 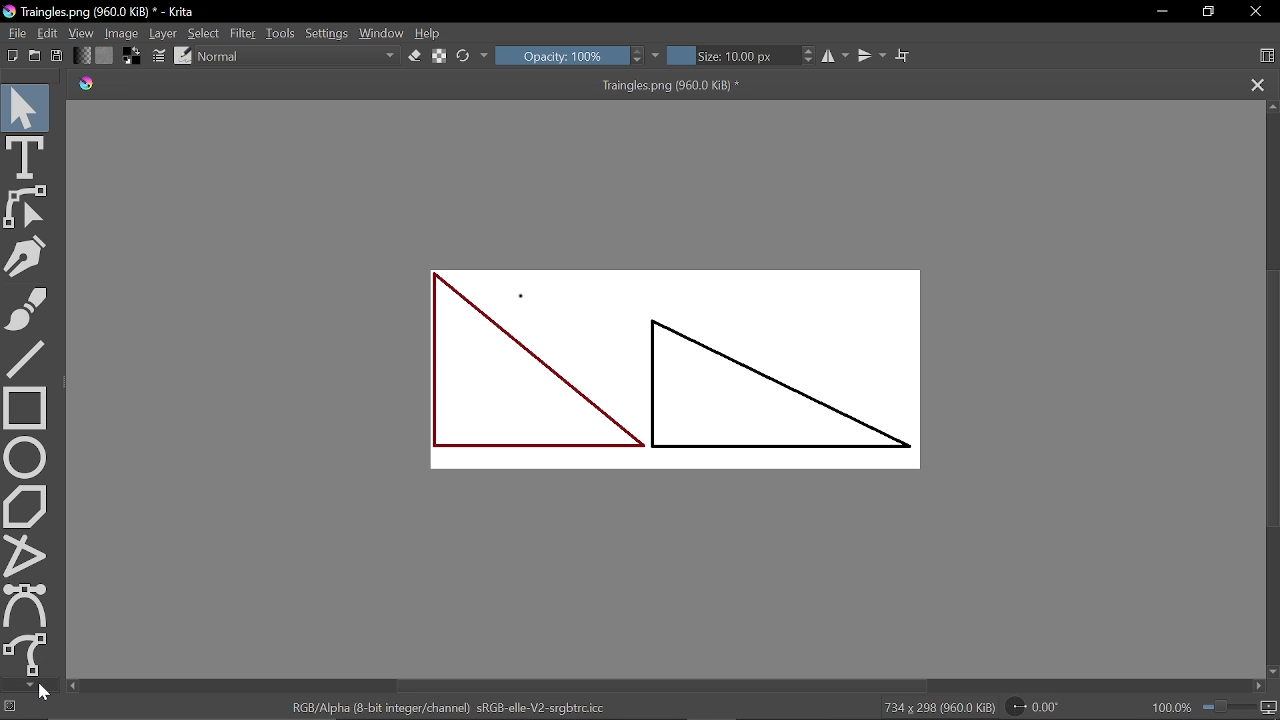 I want to click on Move left, so click(x=75, y=686).